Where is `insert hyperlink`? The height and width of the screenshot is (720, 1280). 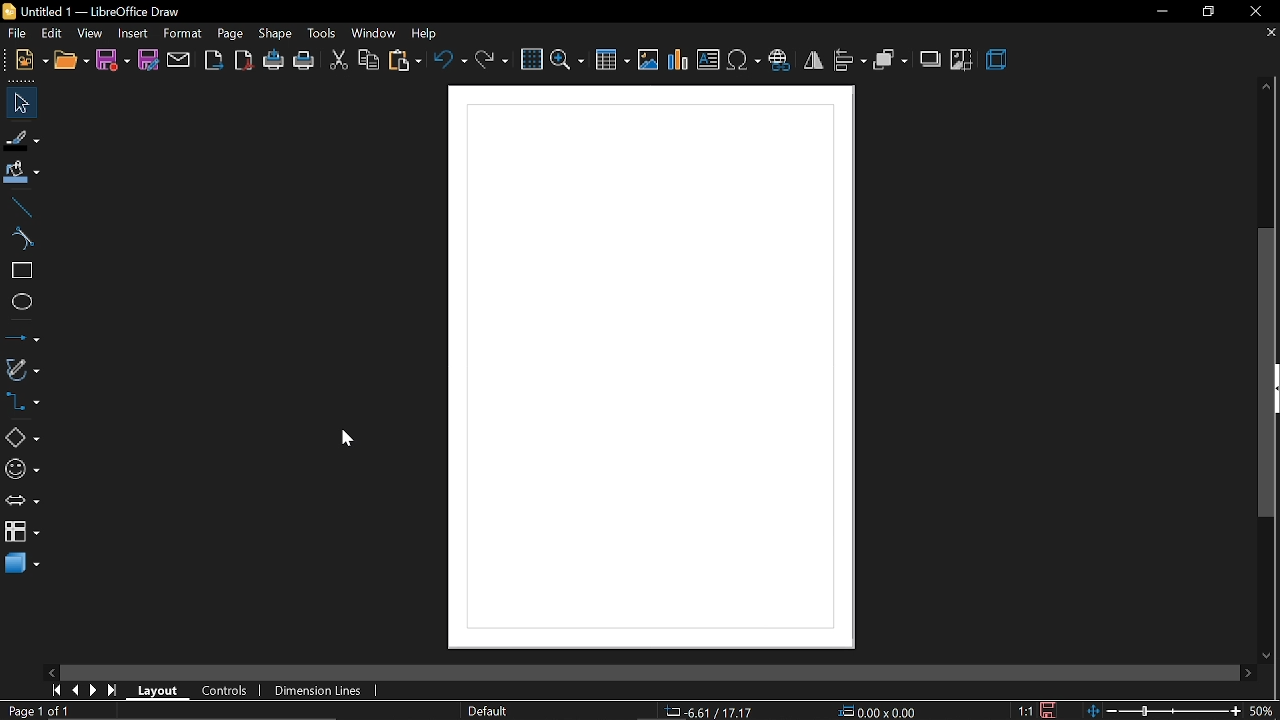
insert hyperlink is located at coordinates (782, 59).